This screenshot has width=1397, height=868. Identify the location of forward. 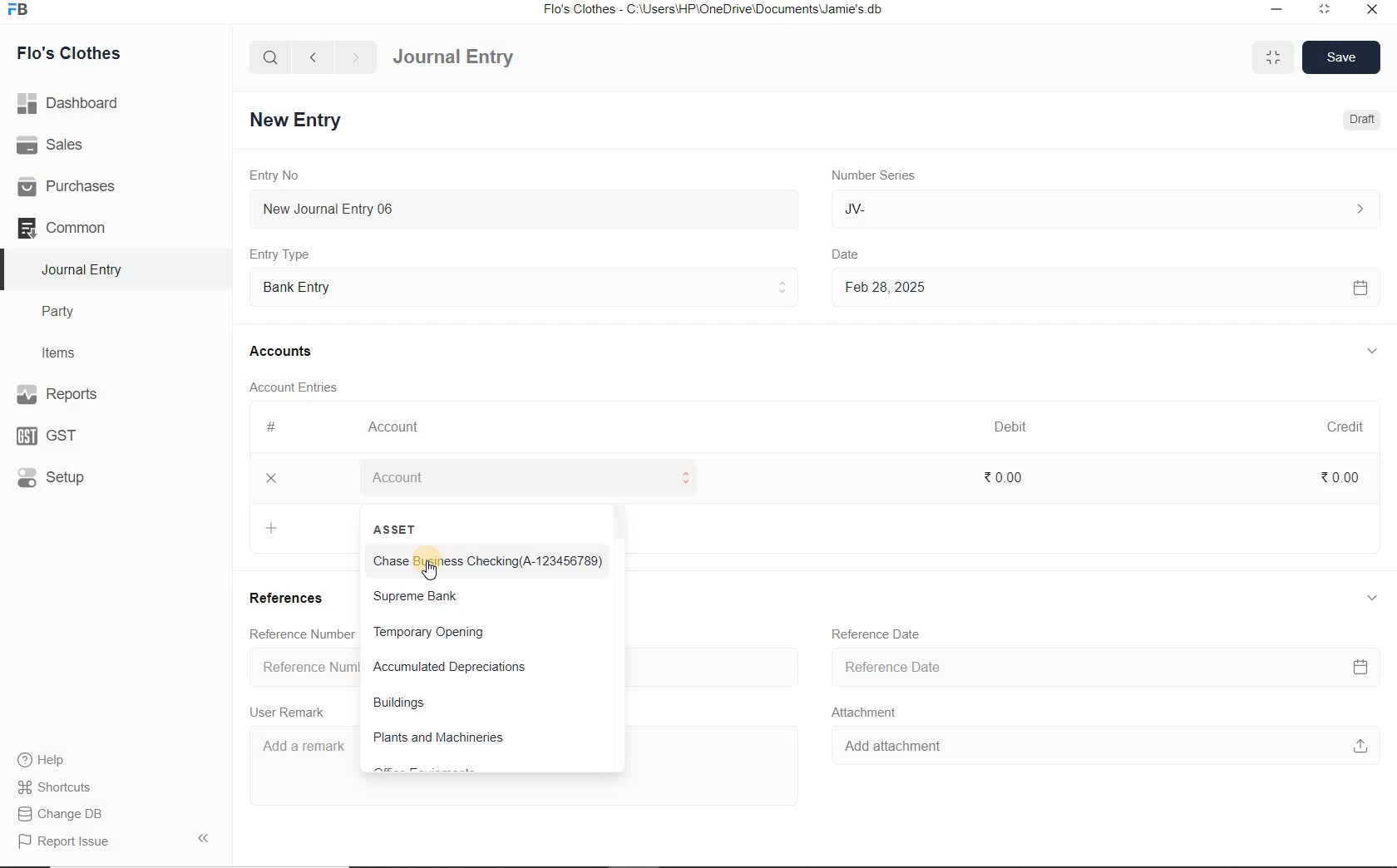
(357, 57).